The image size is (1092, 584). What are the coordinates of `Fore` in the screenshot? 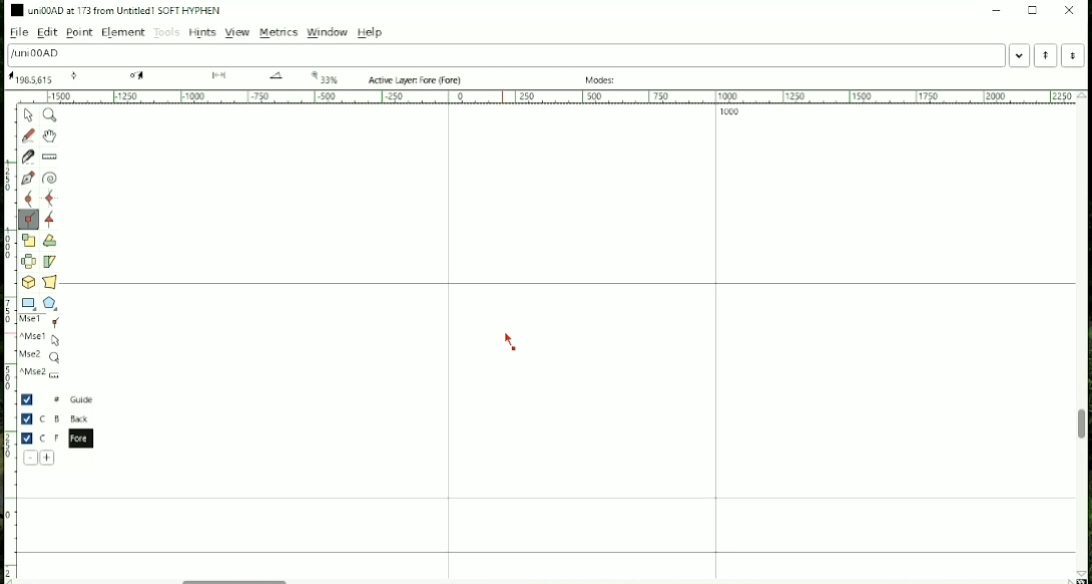 It's located at (63, 438).